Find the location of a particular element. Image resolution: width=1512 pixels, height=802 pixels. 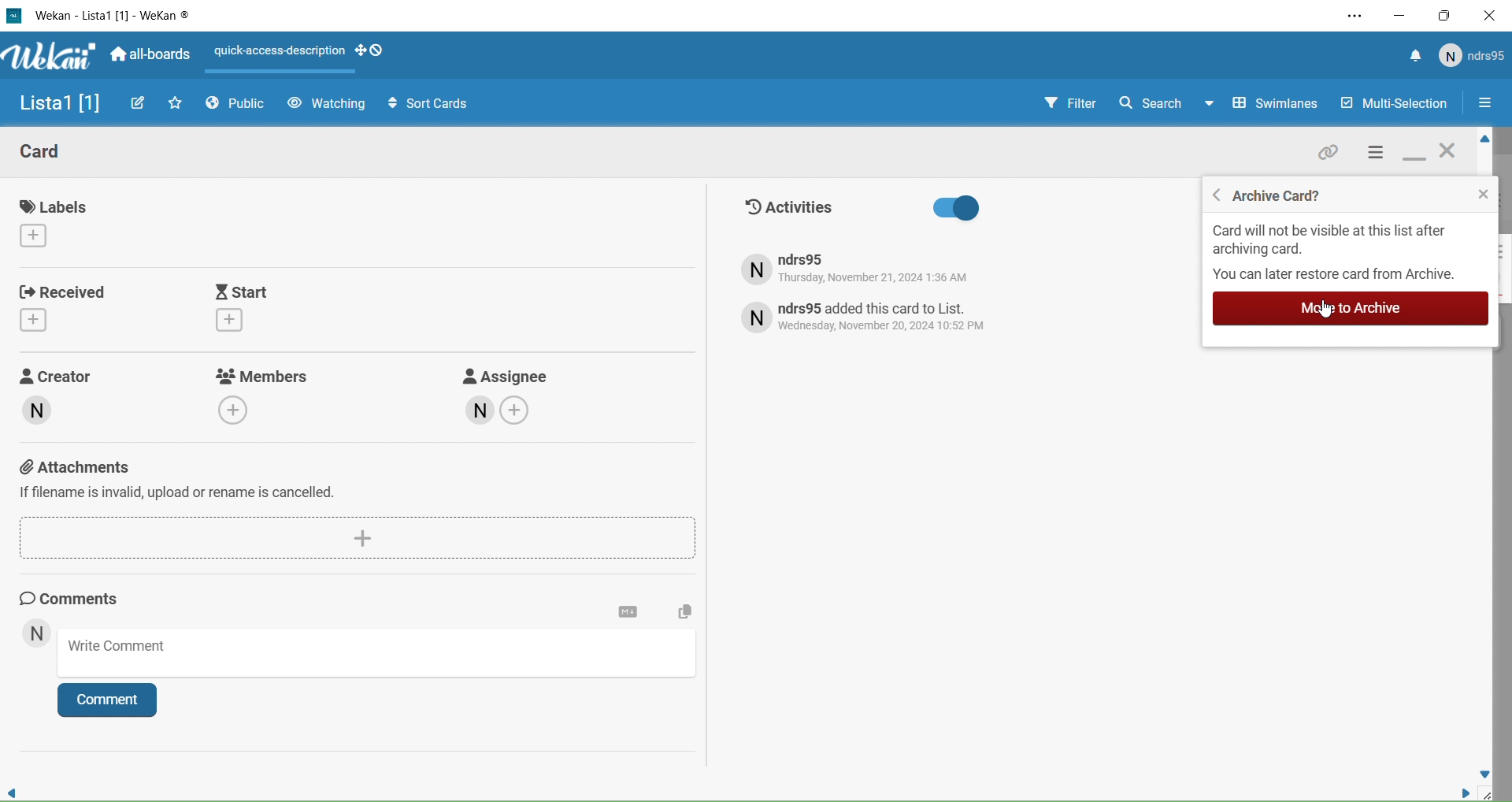

drag handles is located at coordinates (372, 50).